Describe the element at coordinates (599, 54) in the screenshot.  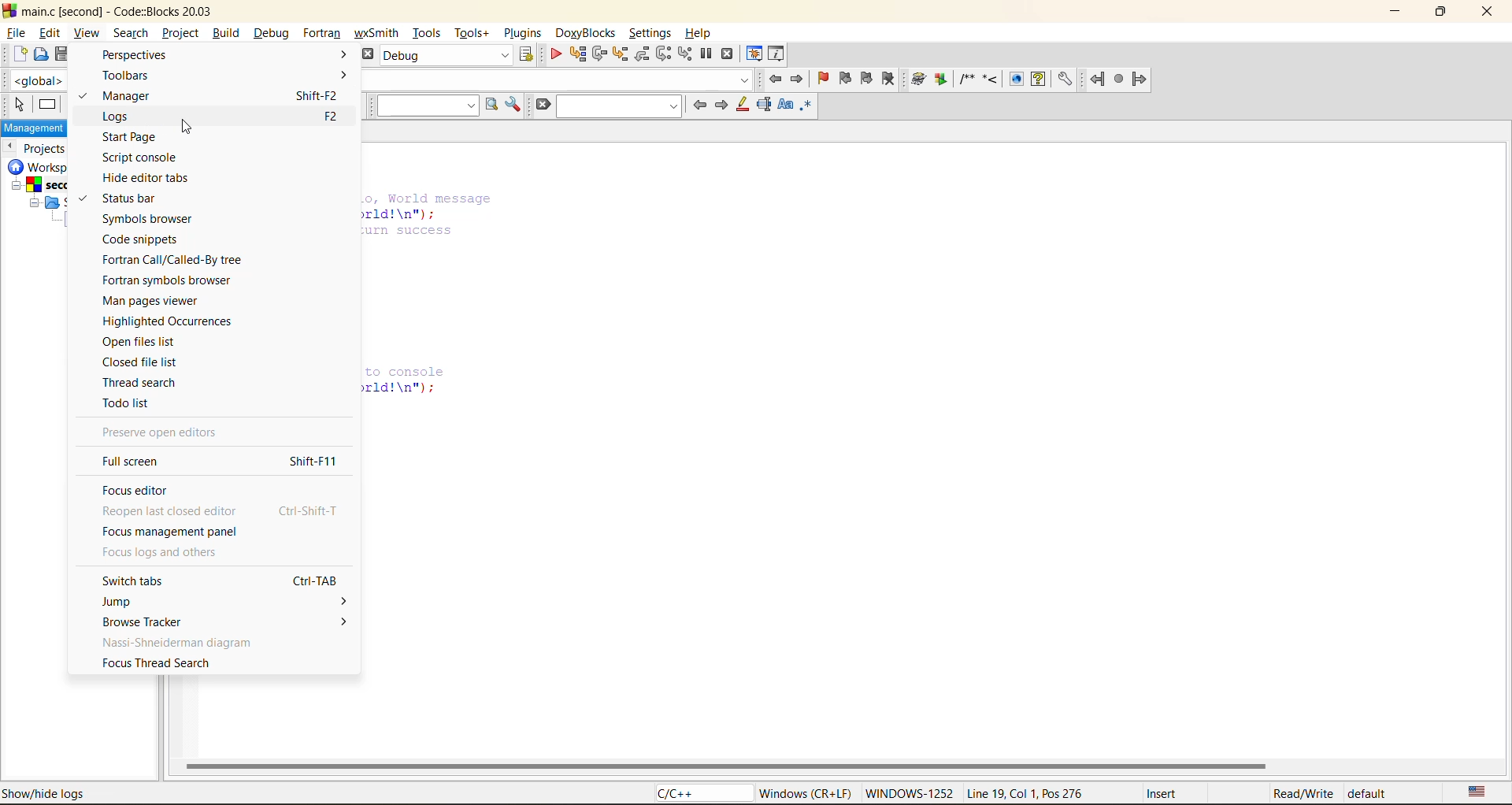
I see `next line` at that location.